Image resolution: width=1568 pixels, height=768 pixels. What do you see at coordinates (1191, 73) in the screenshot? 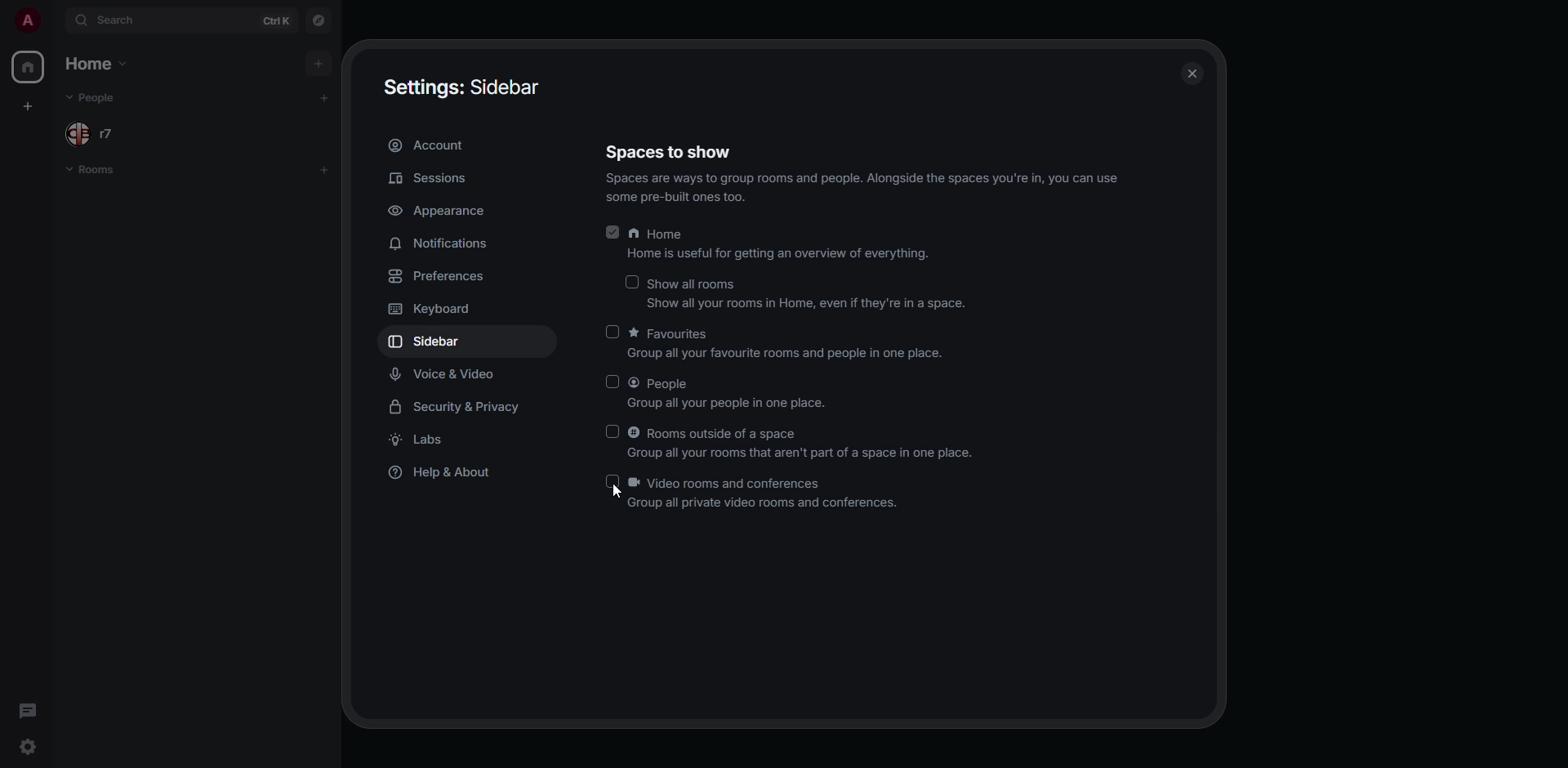
I see `close` at bounding box center [1191, 73].